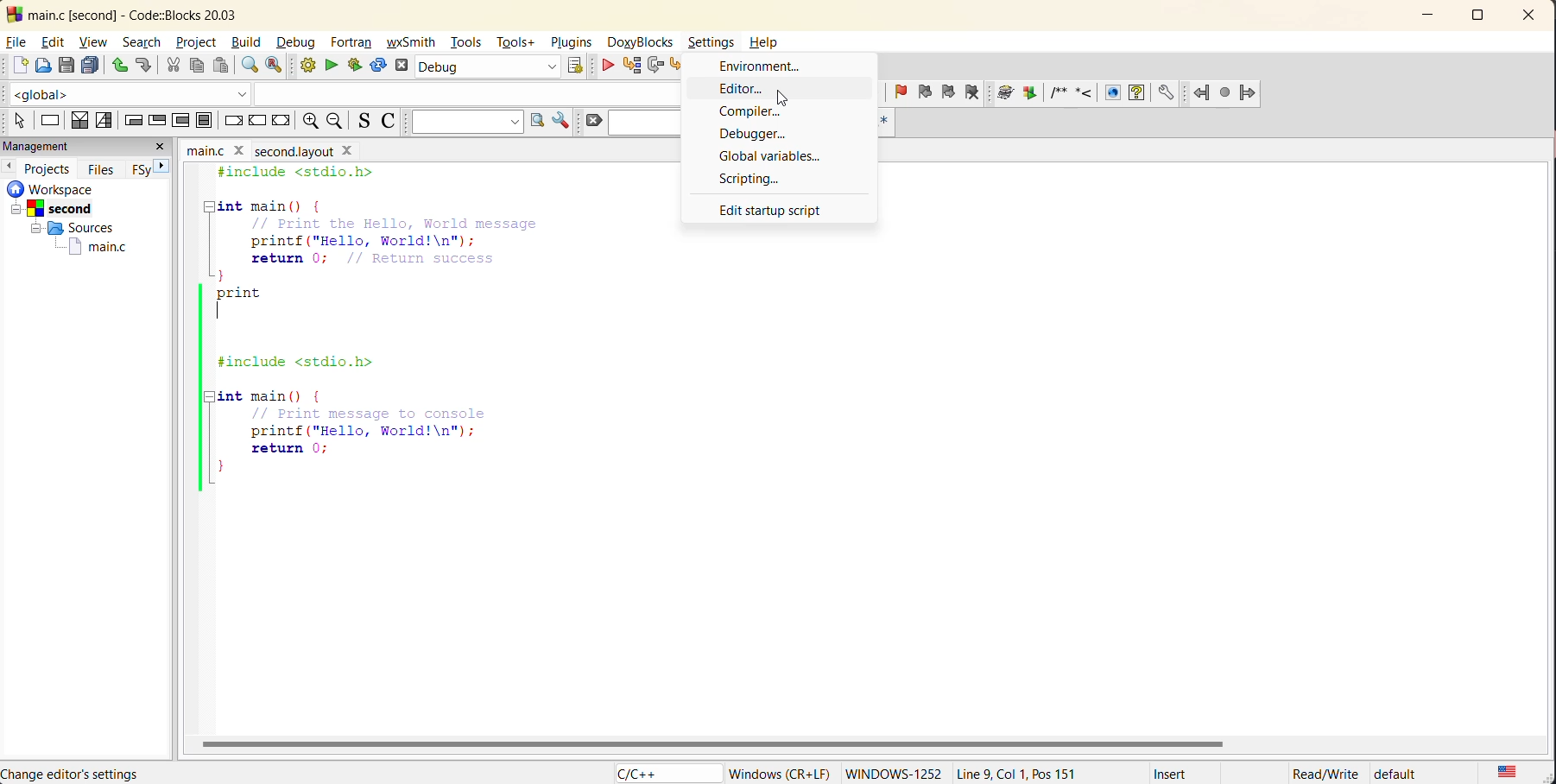  I want to click on toggle bookmark, so click(902, 93).